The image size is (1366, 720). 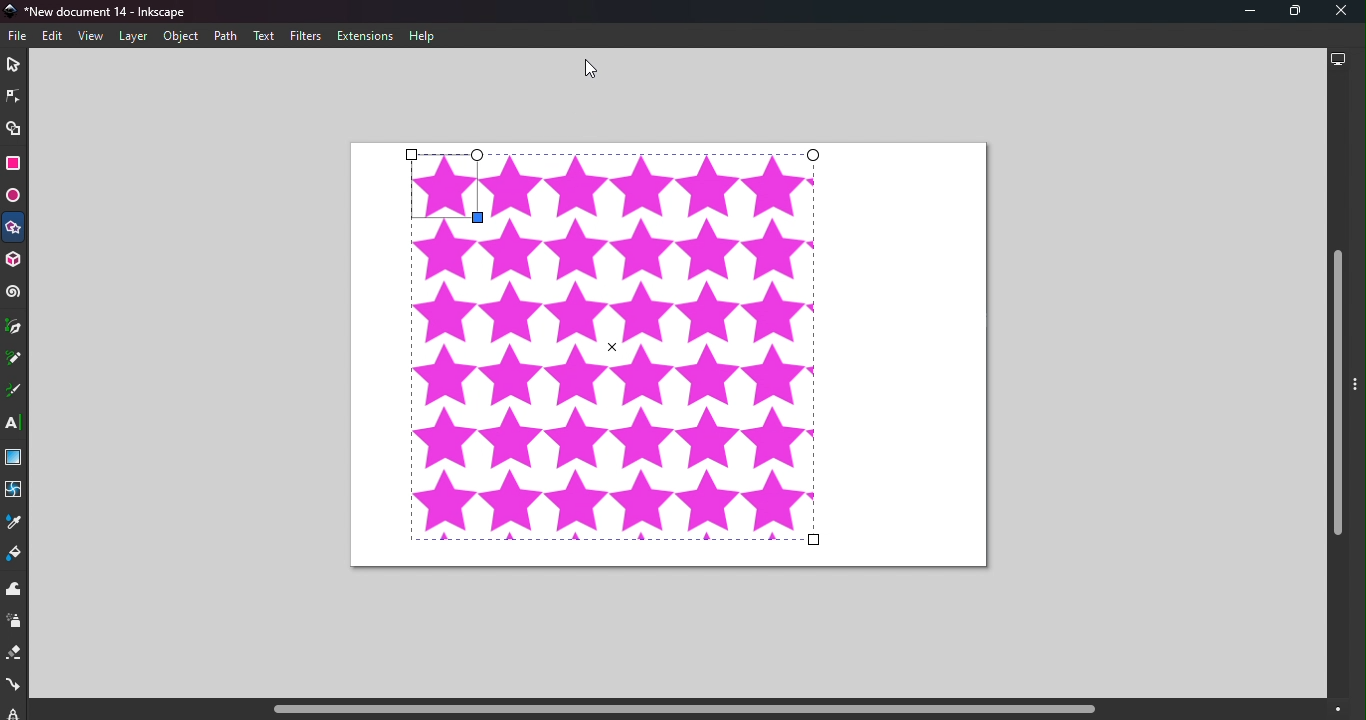 I want to click on Dropper tool, so click(x=12, y=526).